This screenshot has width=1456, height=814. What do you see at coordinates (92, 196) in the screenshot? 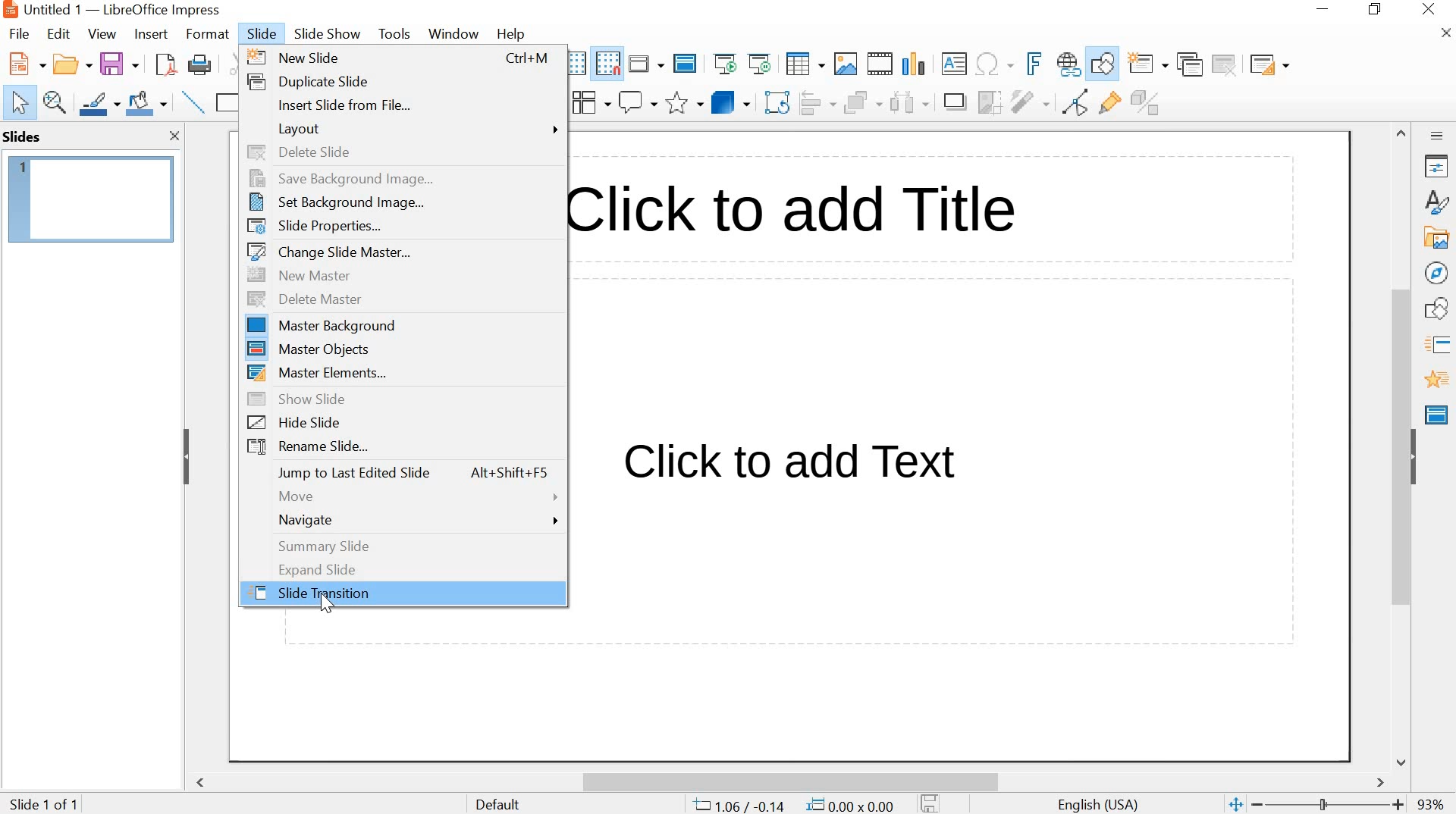
I see `Slide 1` at bounding box center [92, 196].